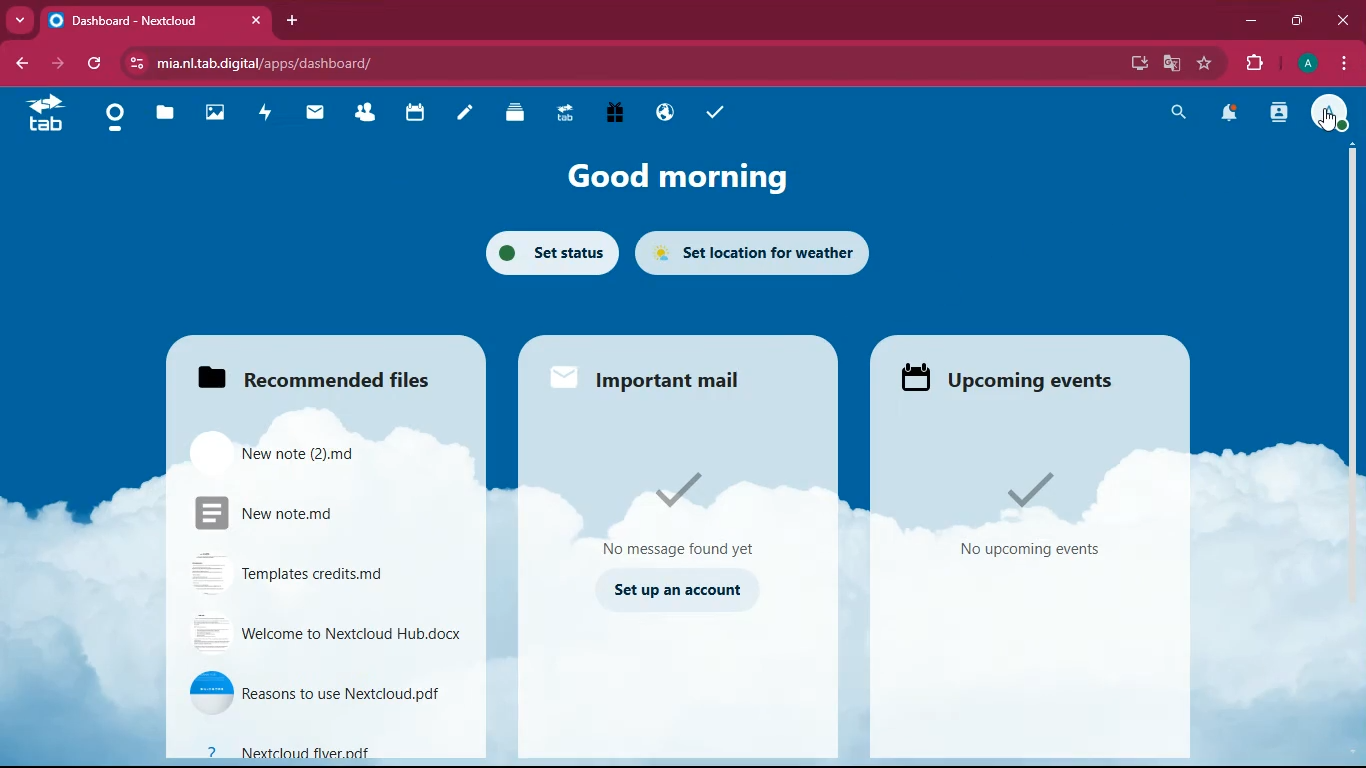 This screenshot has width=1366, height=768. I want to click on profile, so click(1335, 115).